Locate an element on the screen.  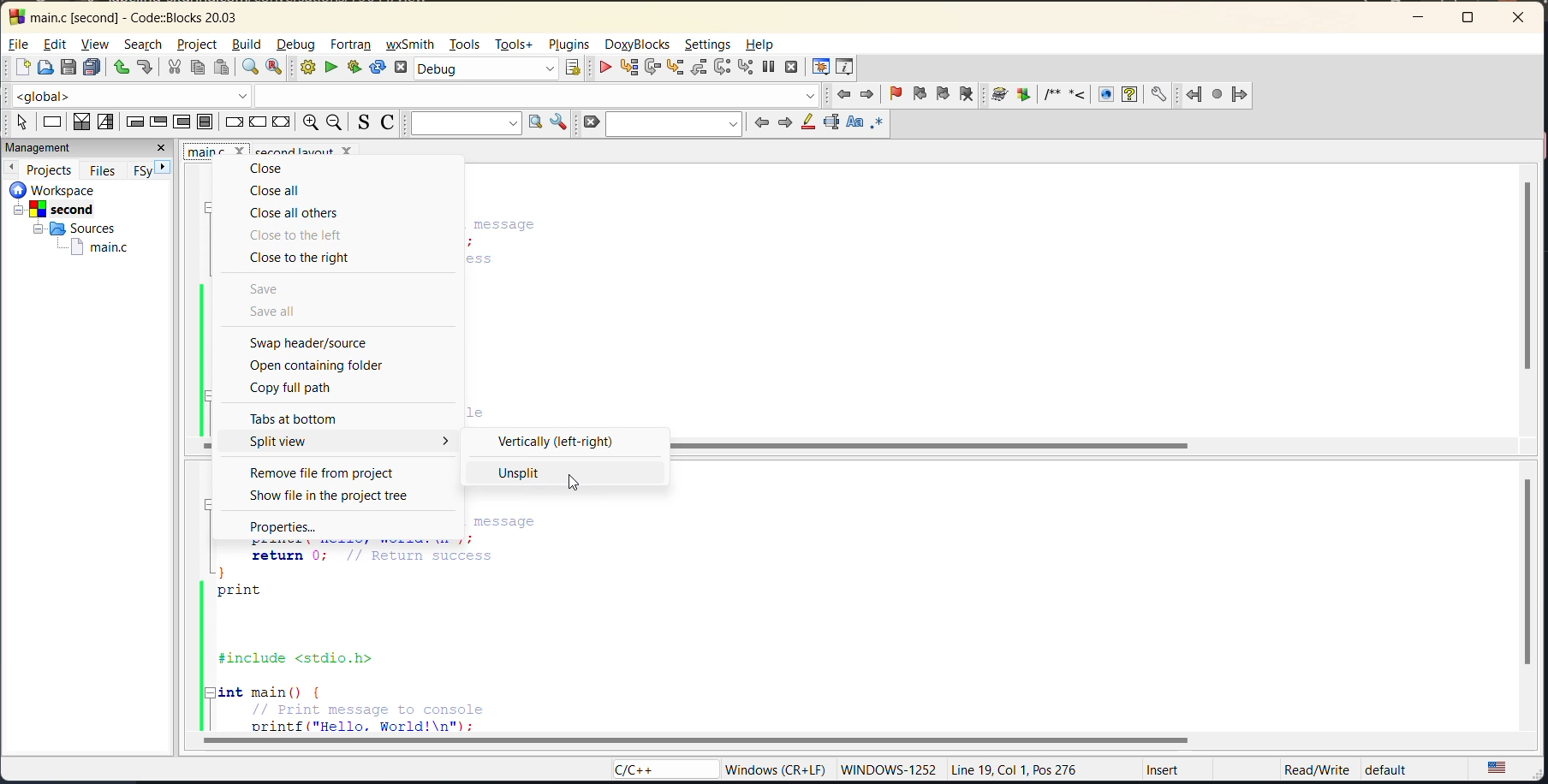
close to the right is located at coordinates (304, 258).